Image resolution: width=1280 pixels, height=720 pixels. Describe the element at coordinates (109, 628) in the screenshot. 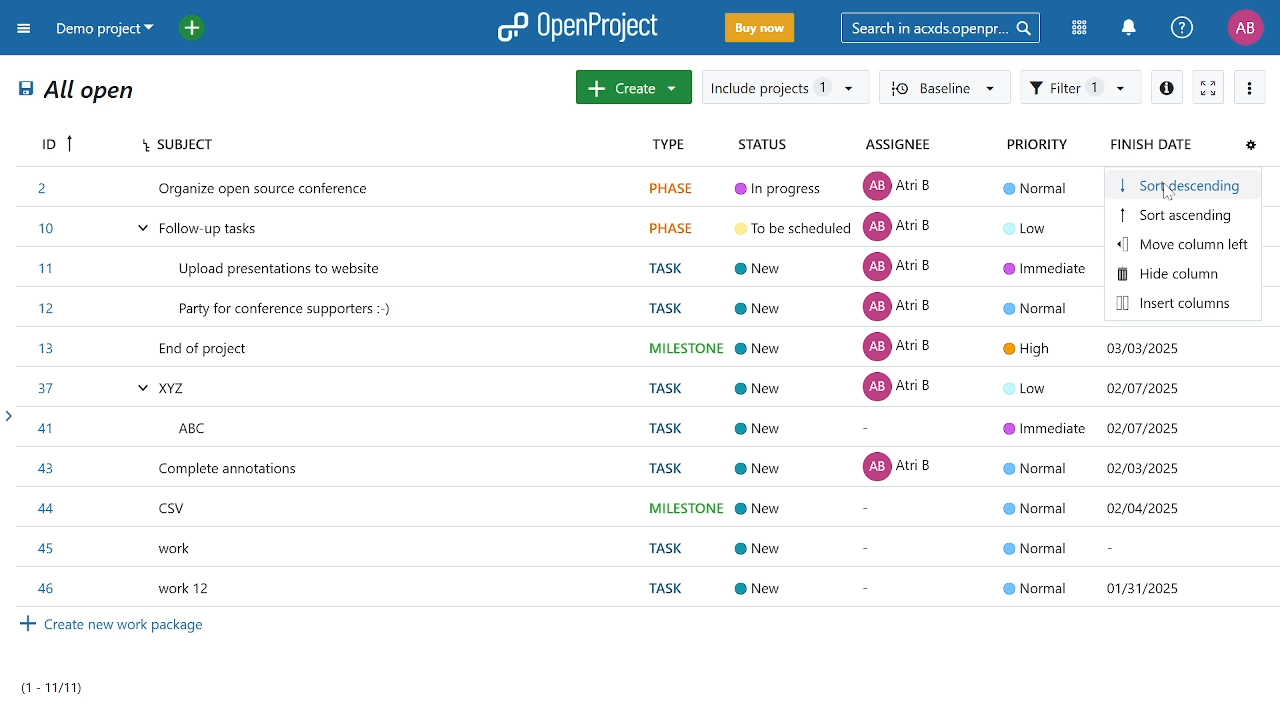

I see `Create new work packages` at that location.